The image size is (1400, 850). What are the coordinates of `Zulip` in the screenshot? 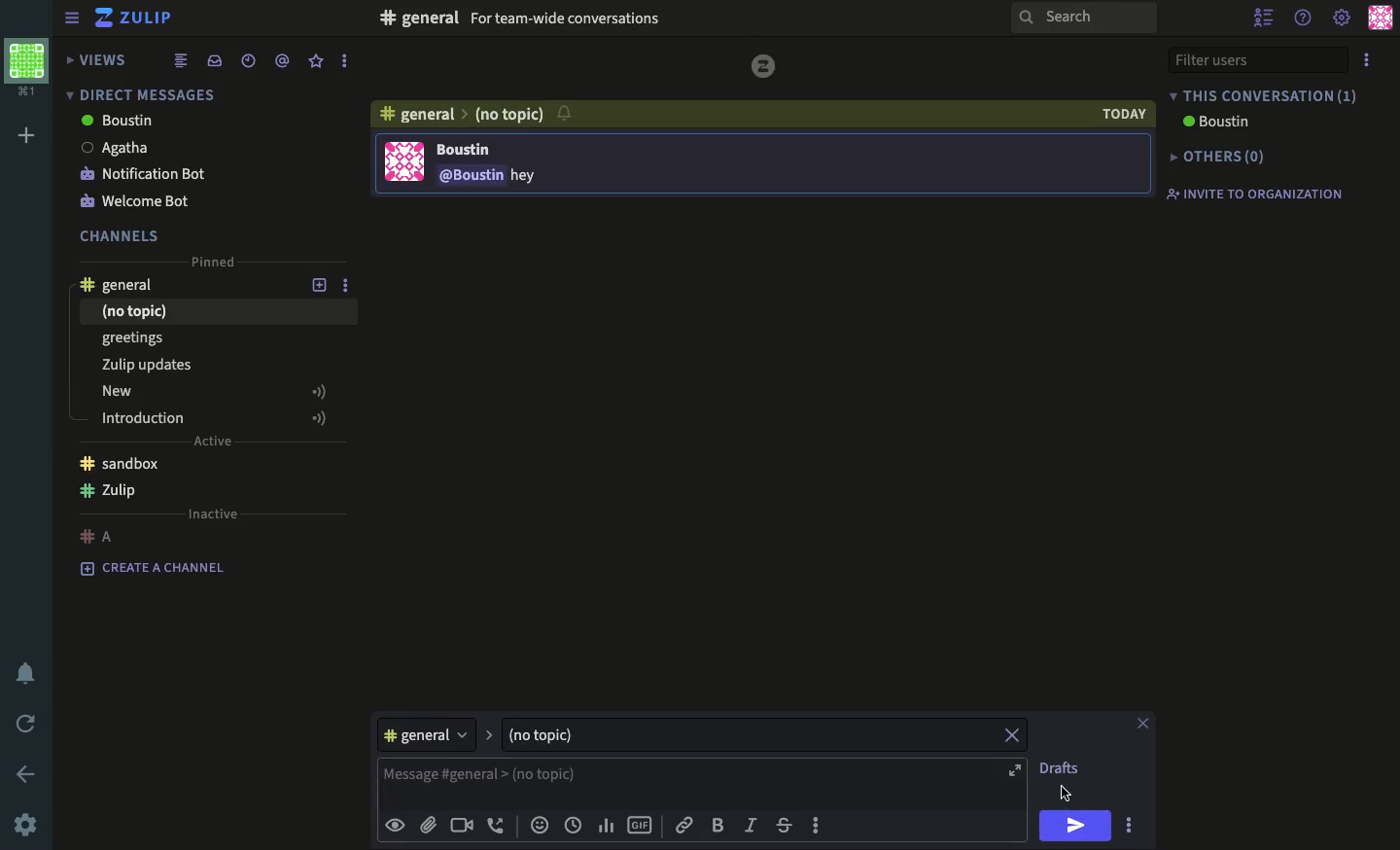 It's located at (110, 491).